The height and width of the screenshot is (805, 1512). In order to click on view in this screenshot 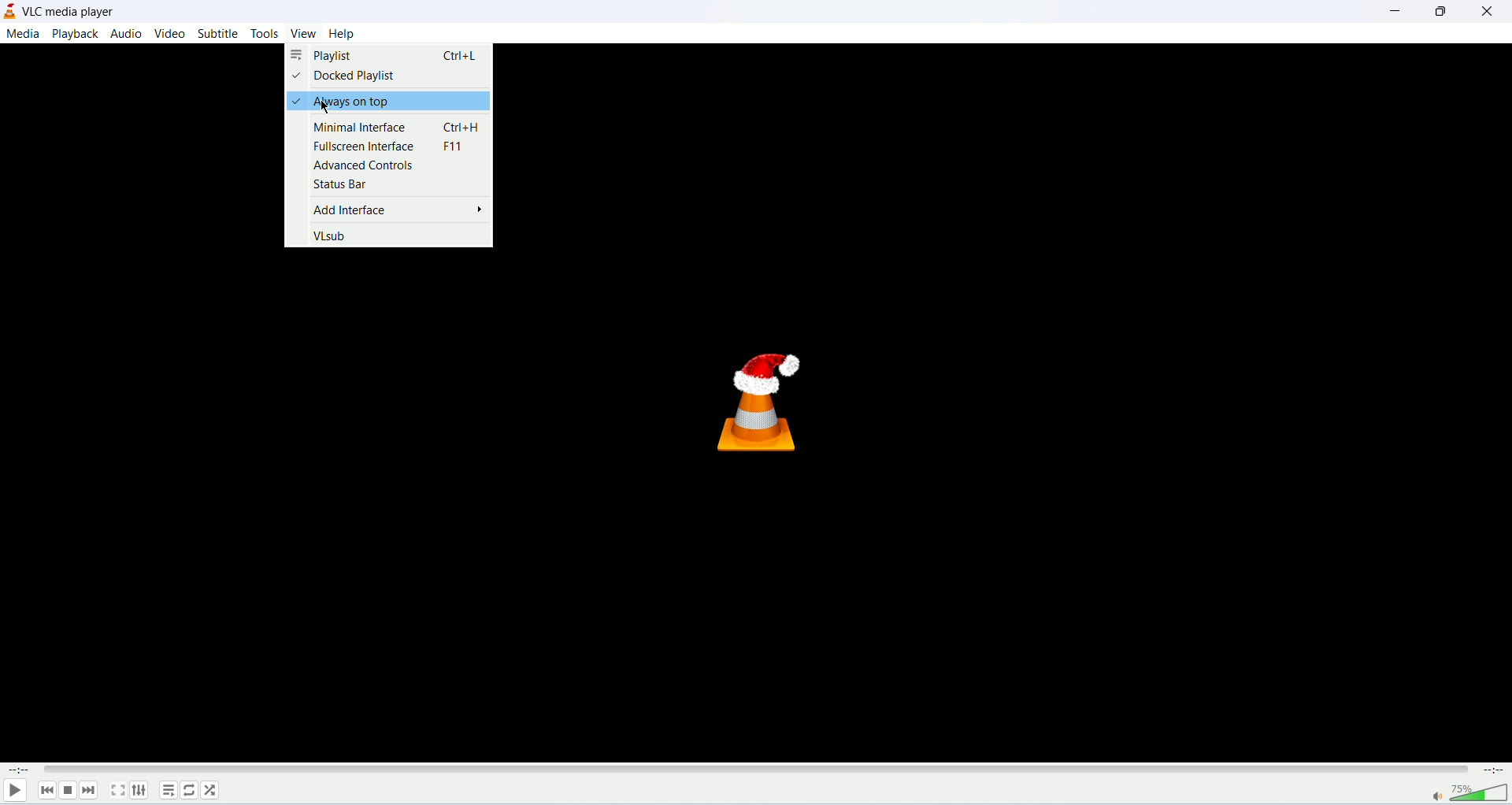, I will do `click(303, 34)`.